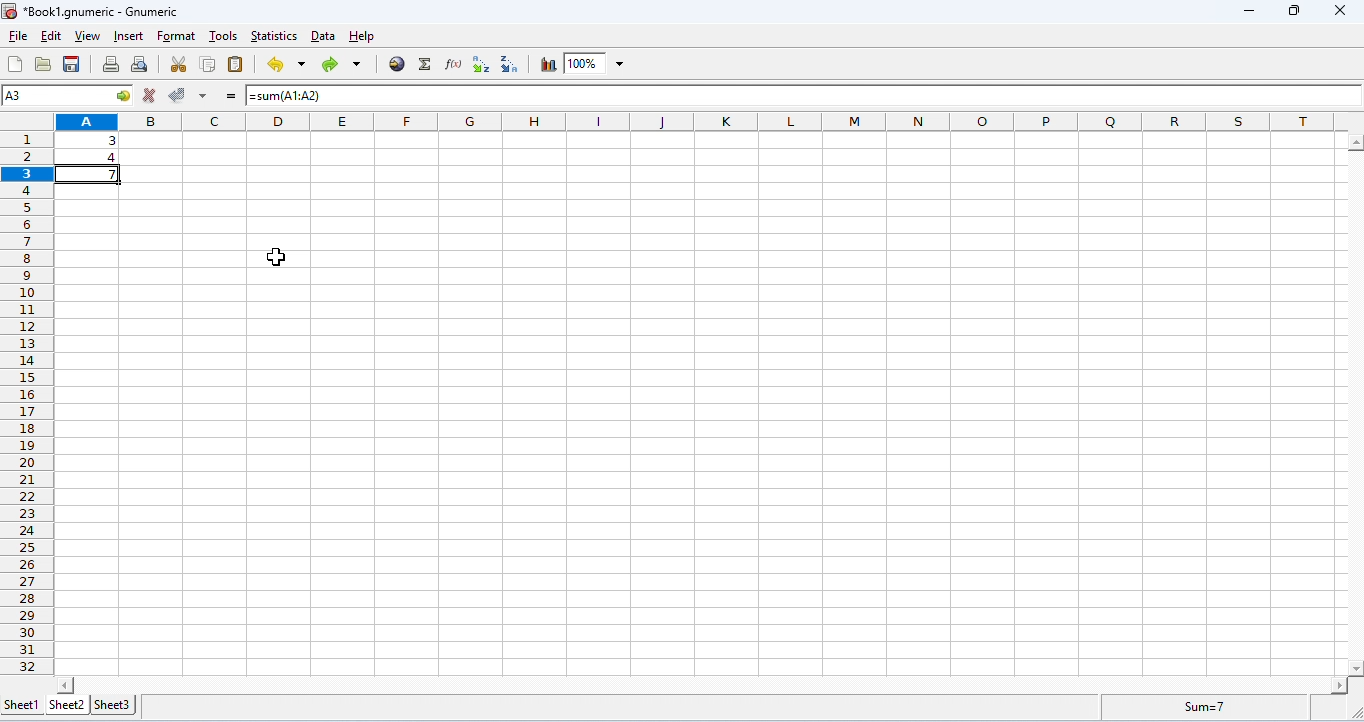 The height and width of the screenshot is (722, 1364). I want to click on space for horizontal column, so click(701, 684).